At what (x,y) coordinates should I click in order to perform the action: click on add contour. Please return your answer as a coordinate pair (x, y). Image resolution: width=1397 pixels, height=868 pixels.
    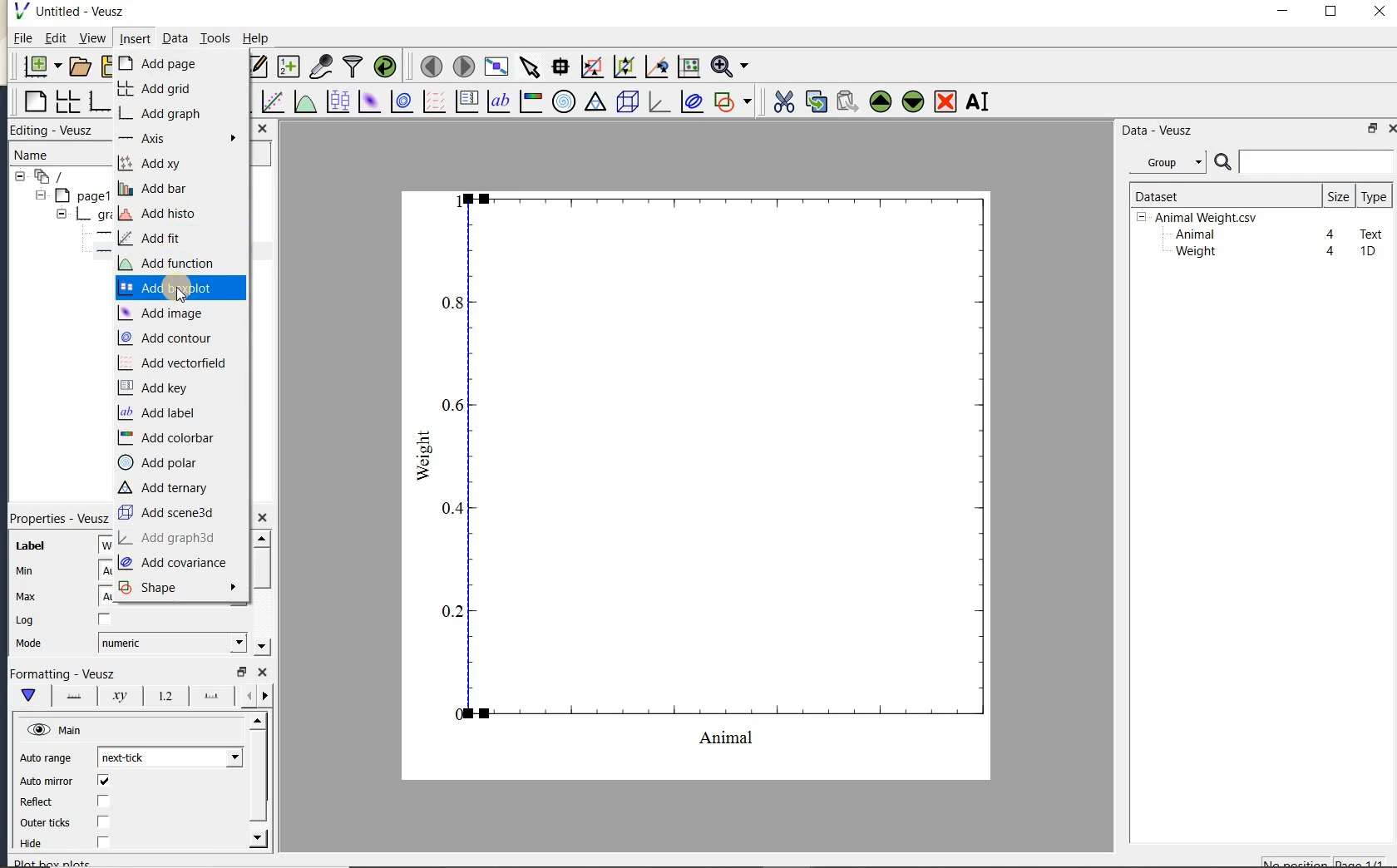
    Looking at the image, I should click on (172, 338).